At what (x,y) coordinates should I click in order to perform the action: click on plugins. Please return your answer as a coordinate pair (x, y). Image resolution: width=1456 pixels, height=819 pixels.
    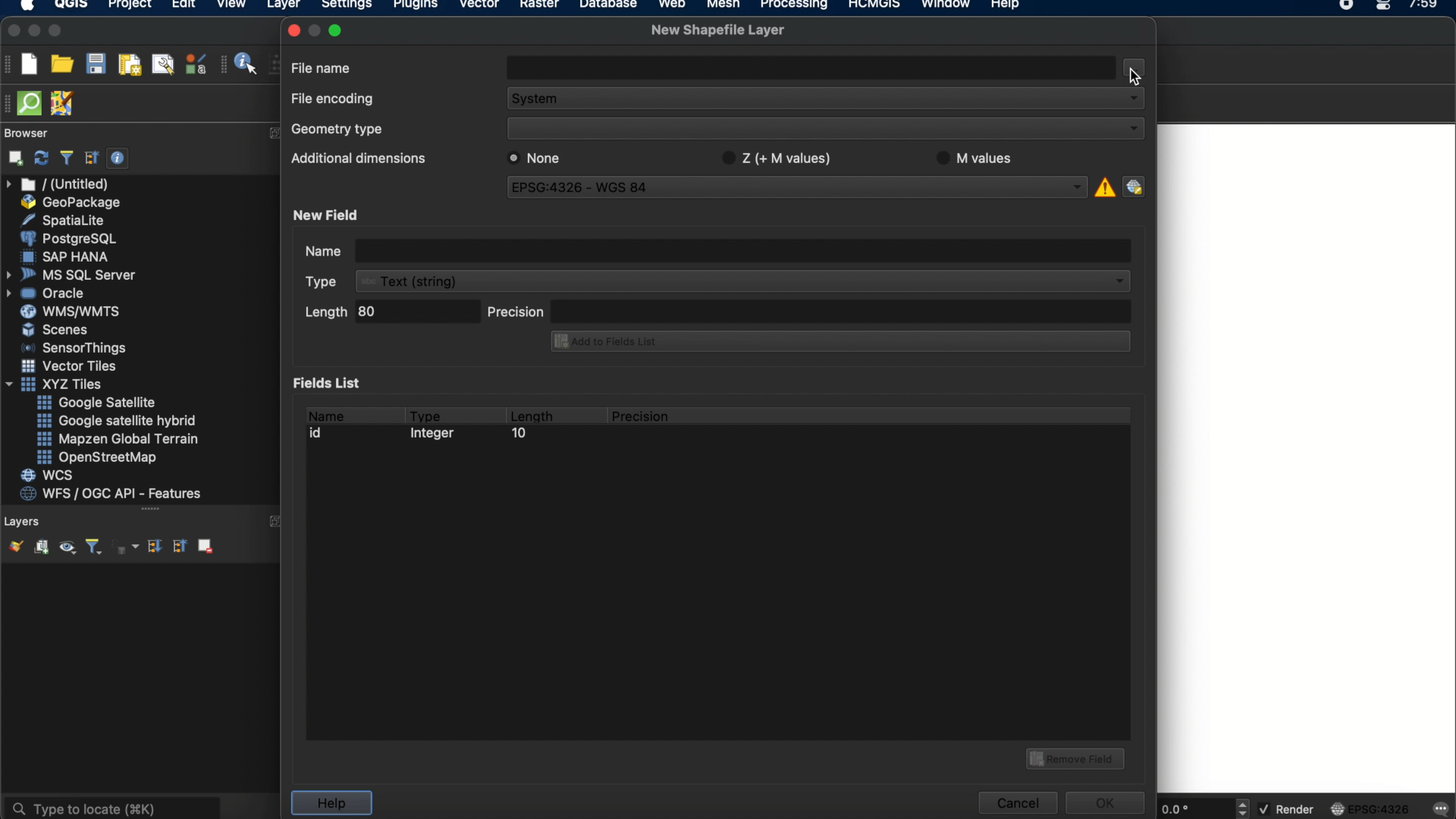
    Looking at the image, I should click on (416, 7).